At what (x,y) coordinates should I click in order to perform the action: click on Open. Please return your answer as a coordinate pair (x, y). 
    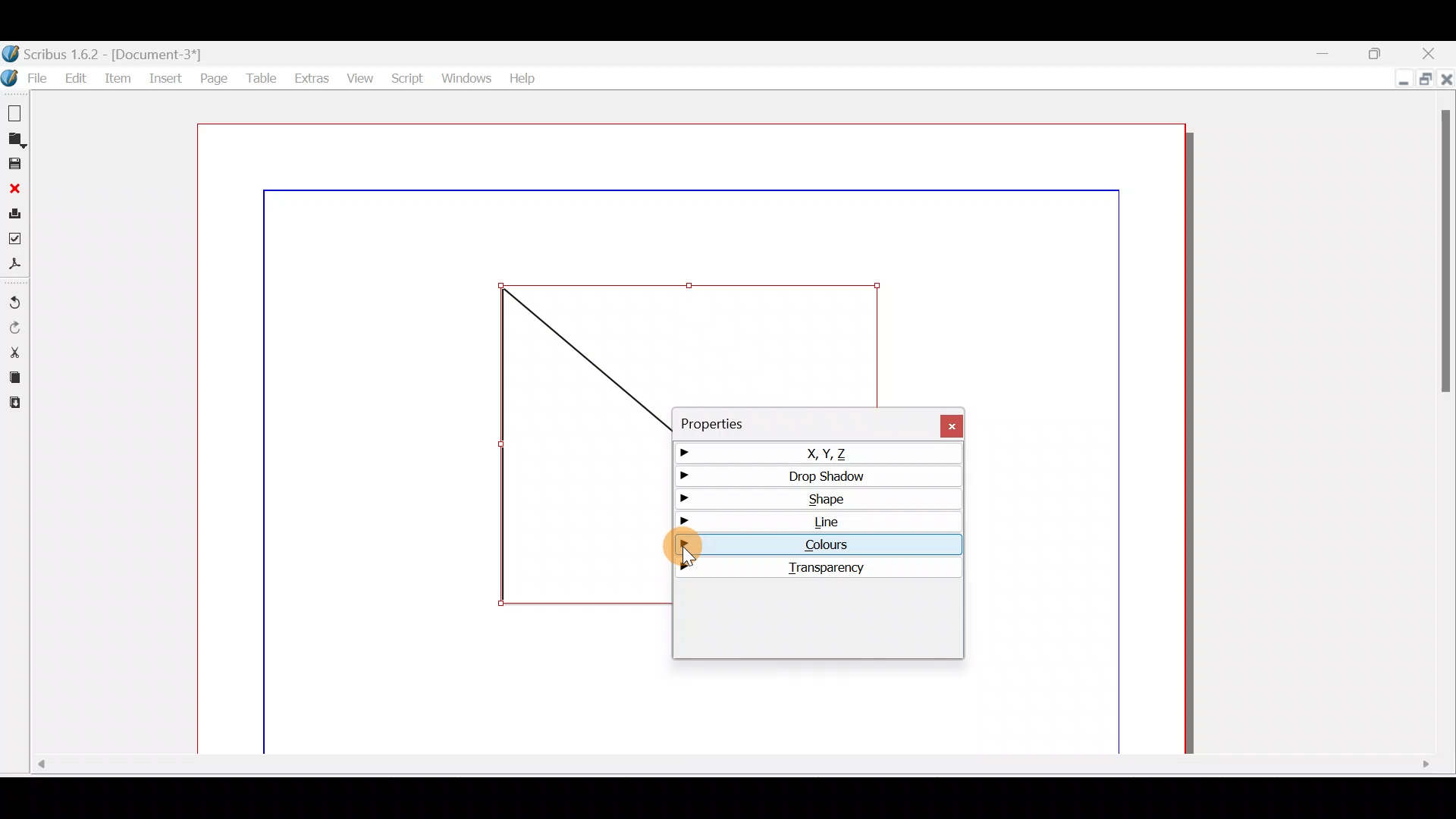
    Looking at the image, I should click on (17, 139).